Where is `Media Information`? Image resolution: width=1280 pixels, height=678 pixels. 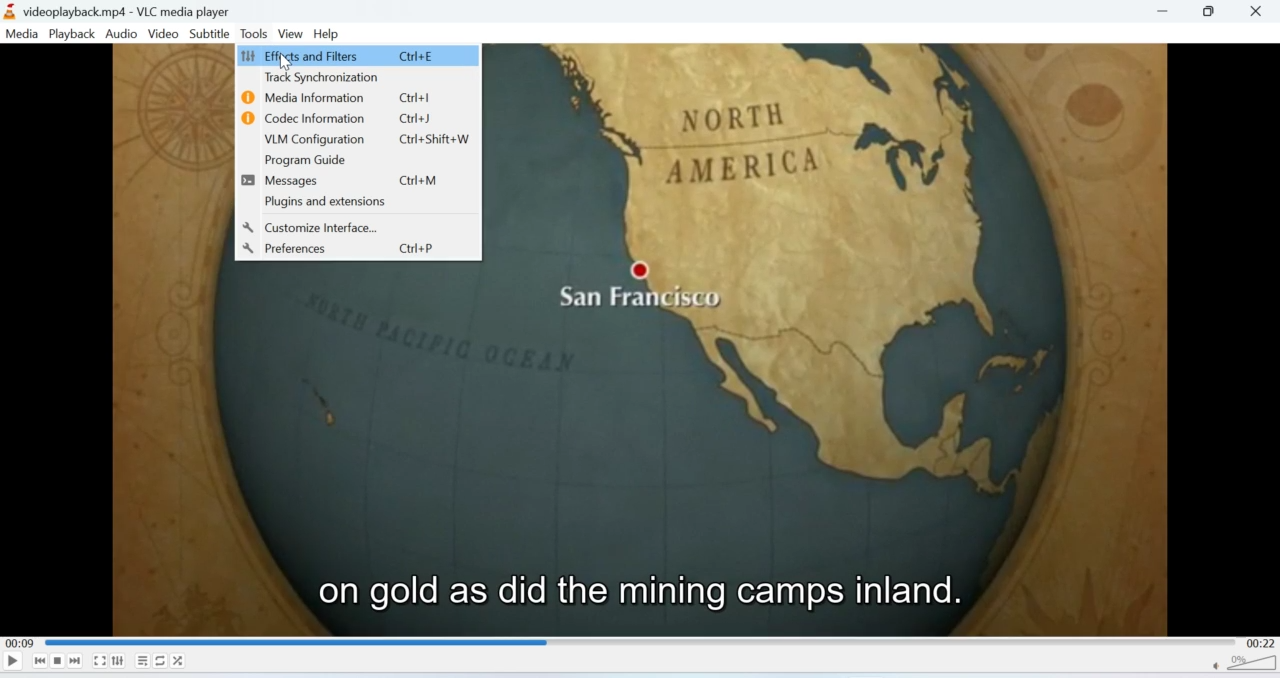
Media Information is located at coordinates (314, 99).